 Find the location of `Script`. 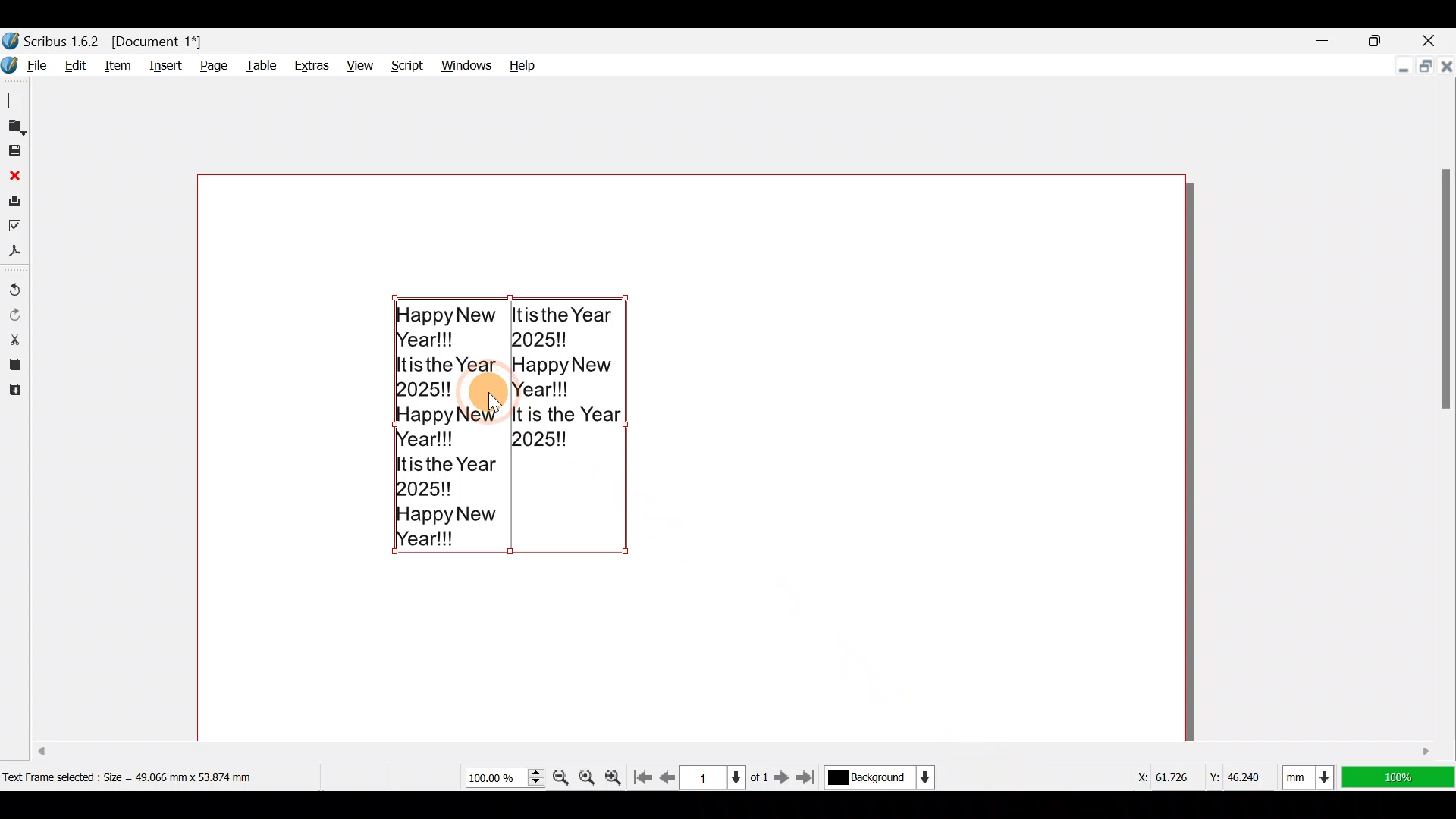

Script is located at coordinates (403, 61).